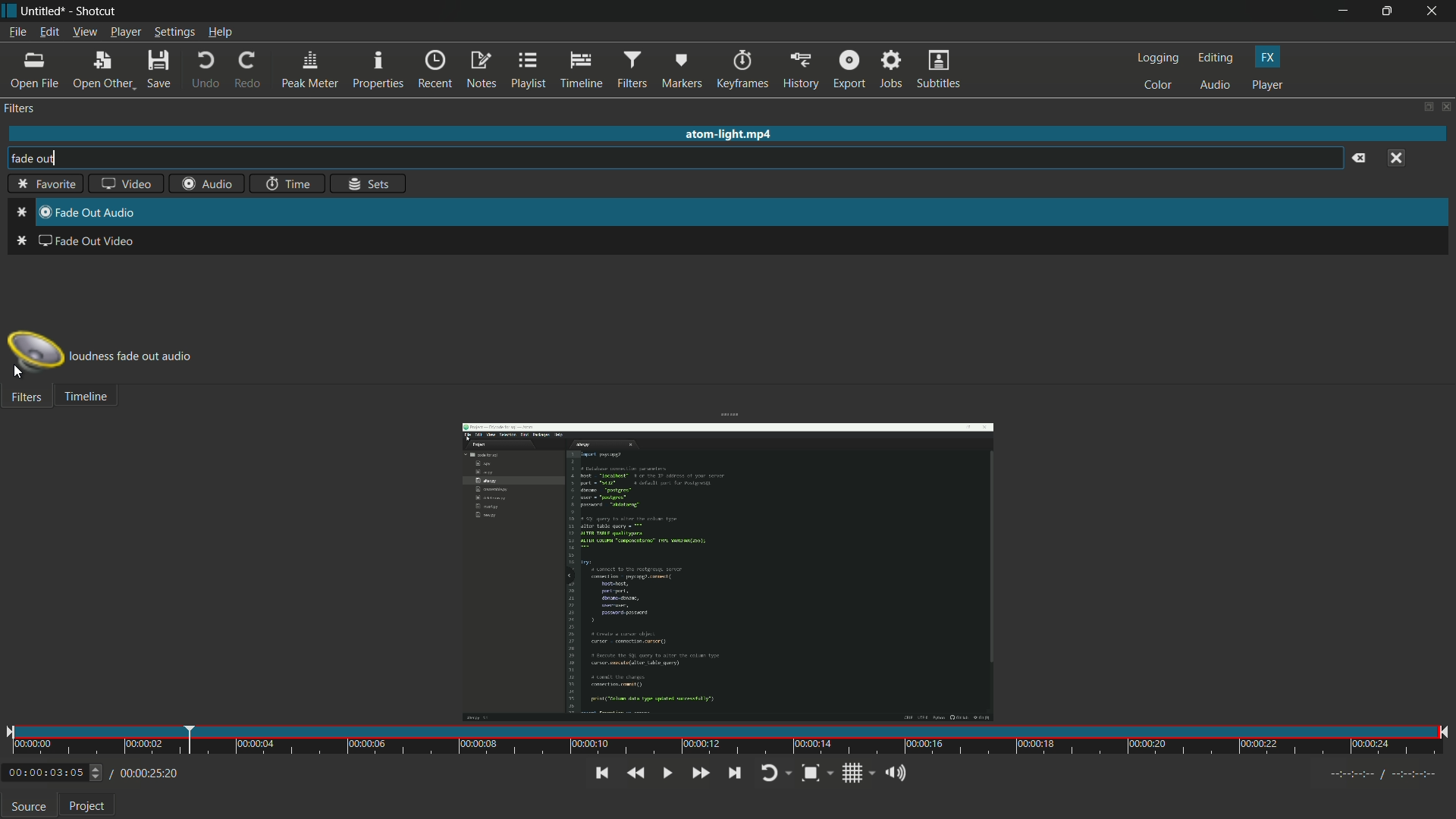  I want to click on fade out audio, so click(30, 212).